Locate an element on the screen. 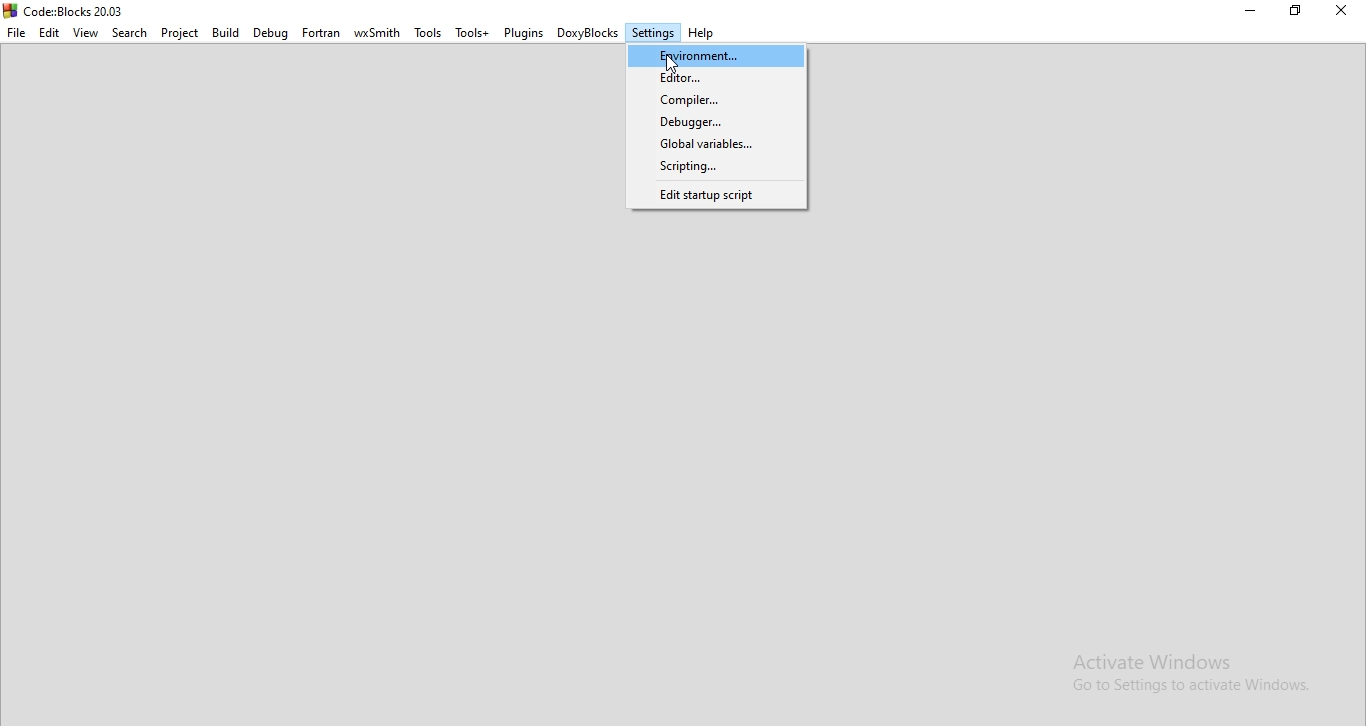  Build is located at coordinates (226, 31).